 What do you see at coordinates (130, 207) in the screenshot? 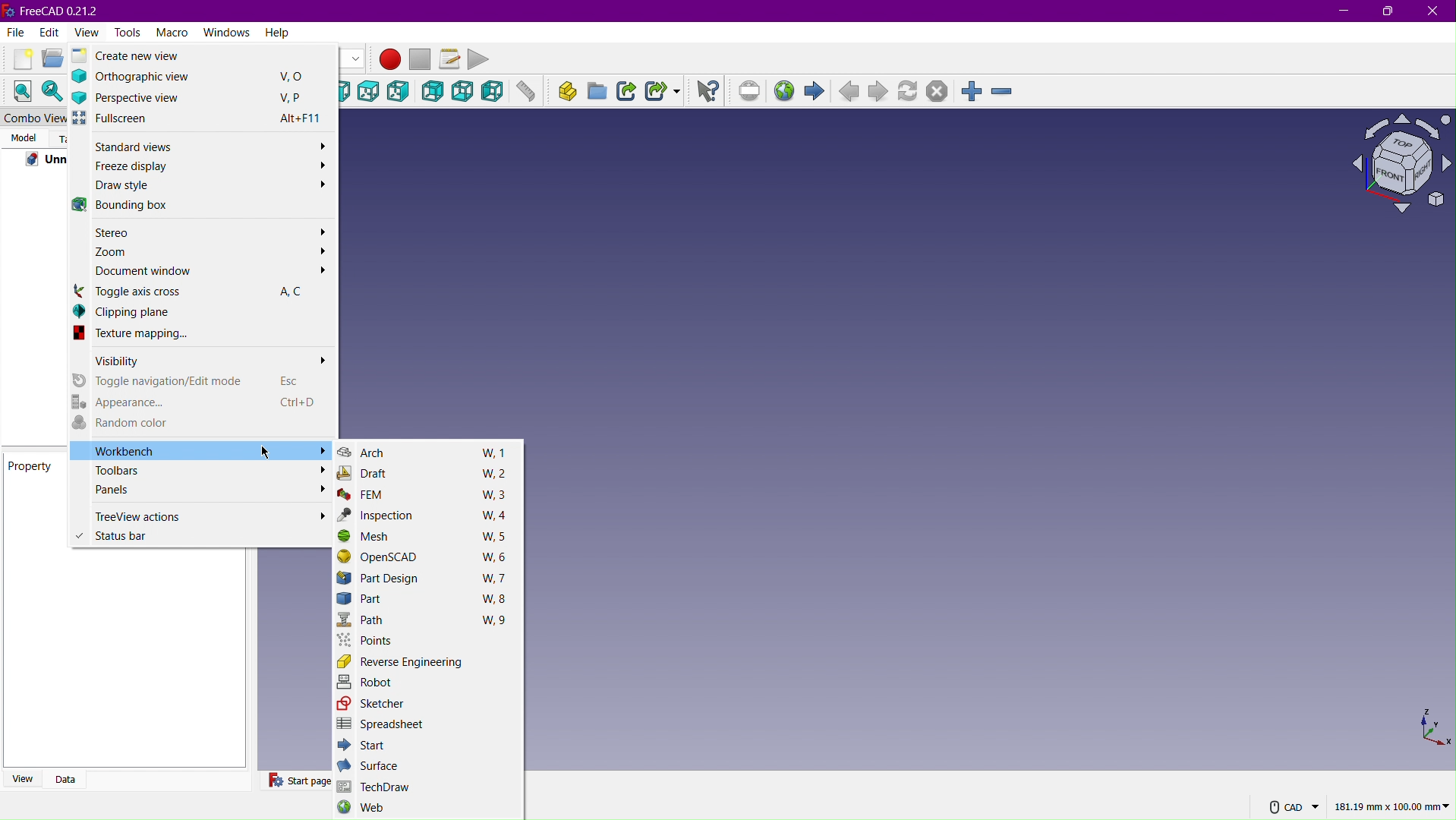
I see `Bounding Box` at bounding box center [130, 207].